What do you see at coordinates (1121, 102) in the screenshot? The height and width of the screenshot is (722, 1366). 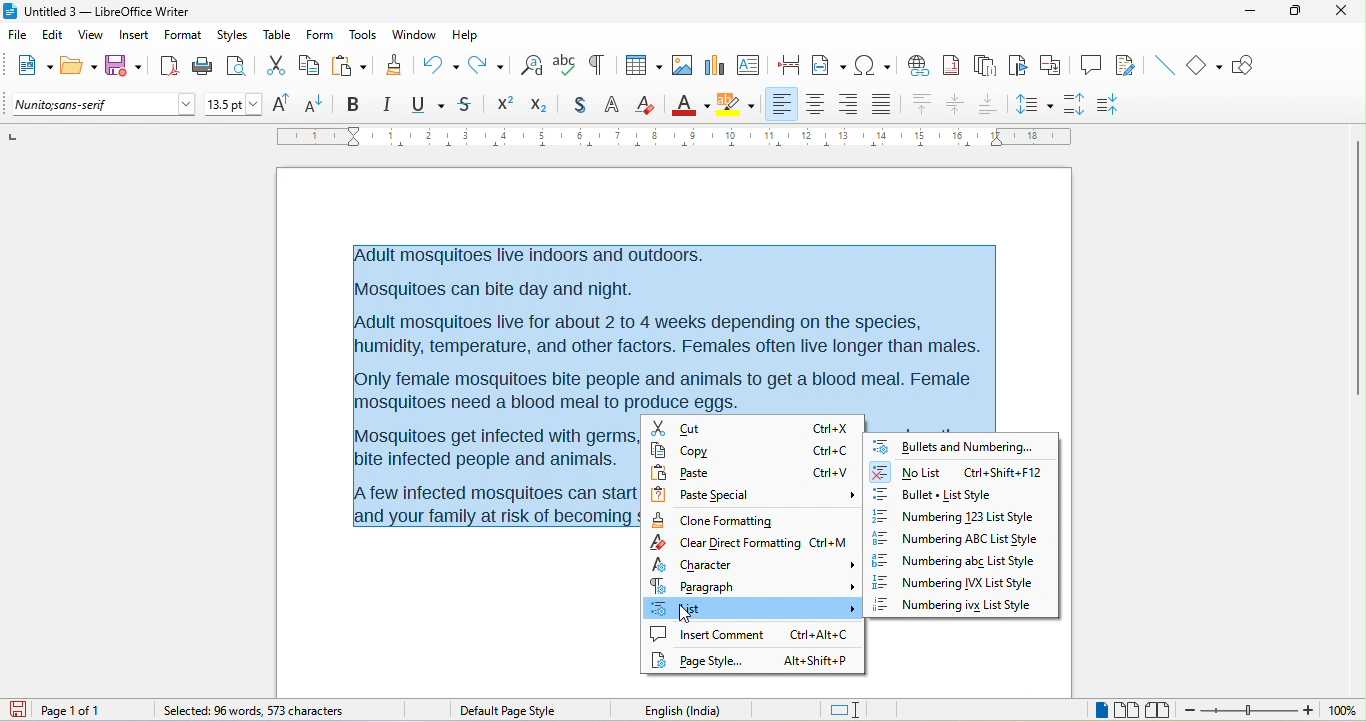 I see `decrease paragraph spacing` at bounding box center [1121, 102].